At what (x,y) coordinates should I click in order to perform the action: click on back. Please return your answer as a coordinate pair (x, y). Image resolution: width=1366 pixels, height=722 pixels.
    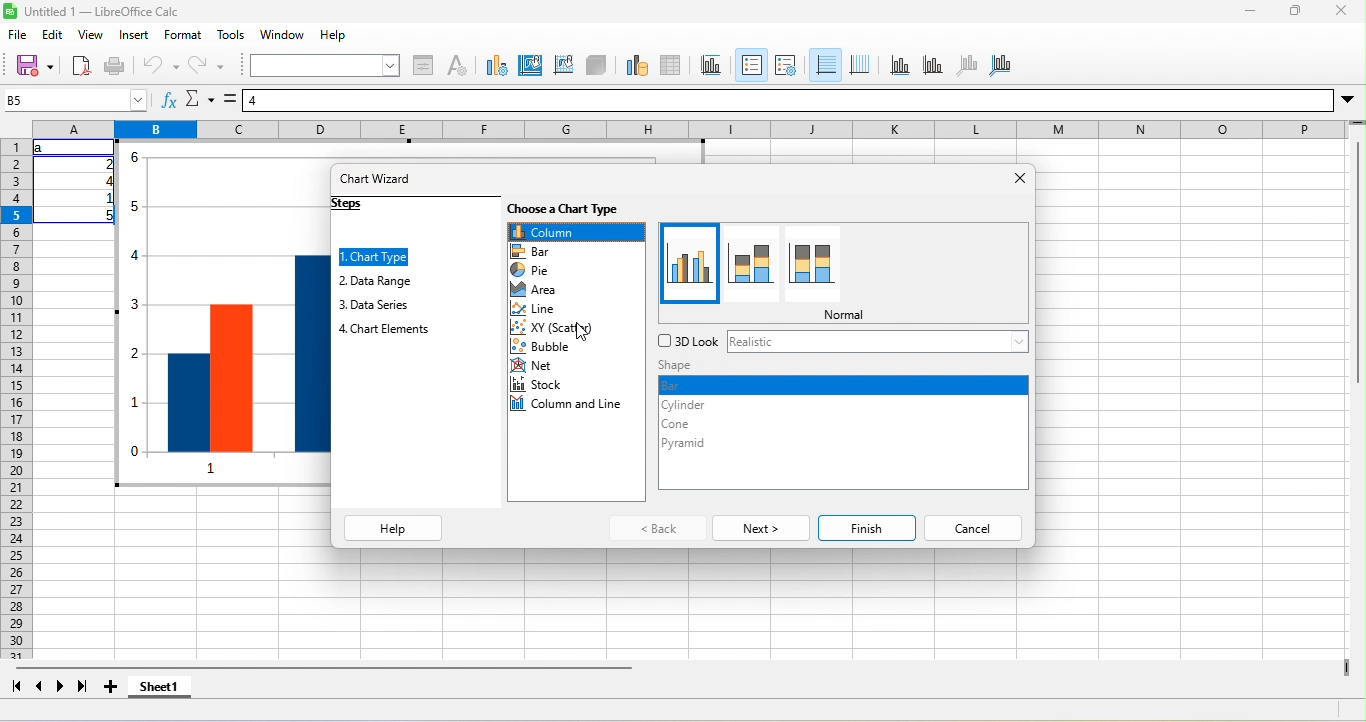
    Looking at the image, I should click on (658, 528).